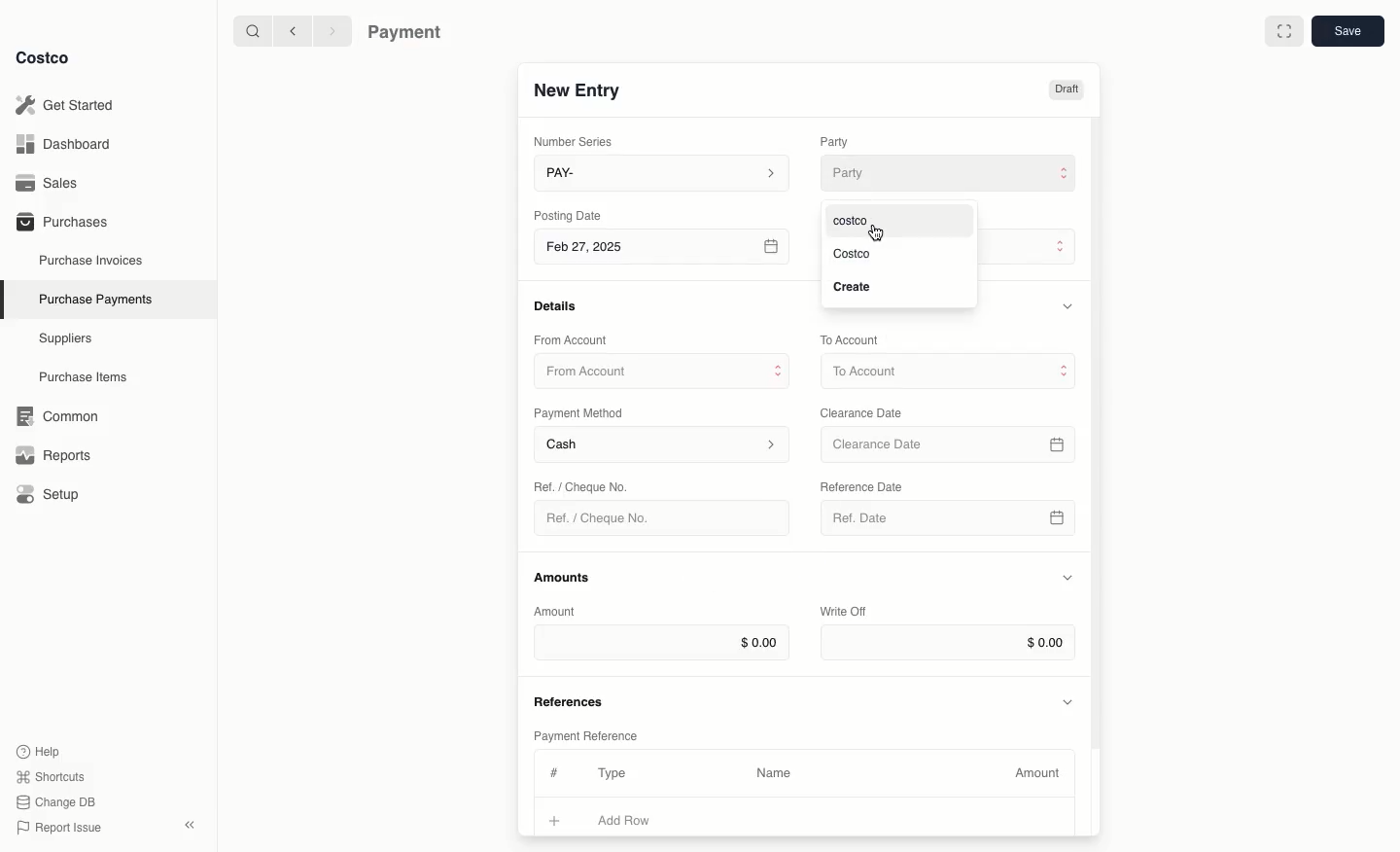  I want to click on Setup, so click(54, 496).